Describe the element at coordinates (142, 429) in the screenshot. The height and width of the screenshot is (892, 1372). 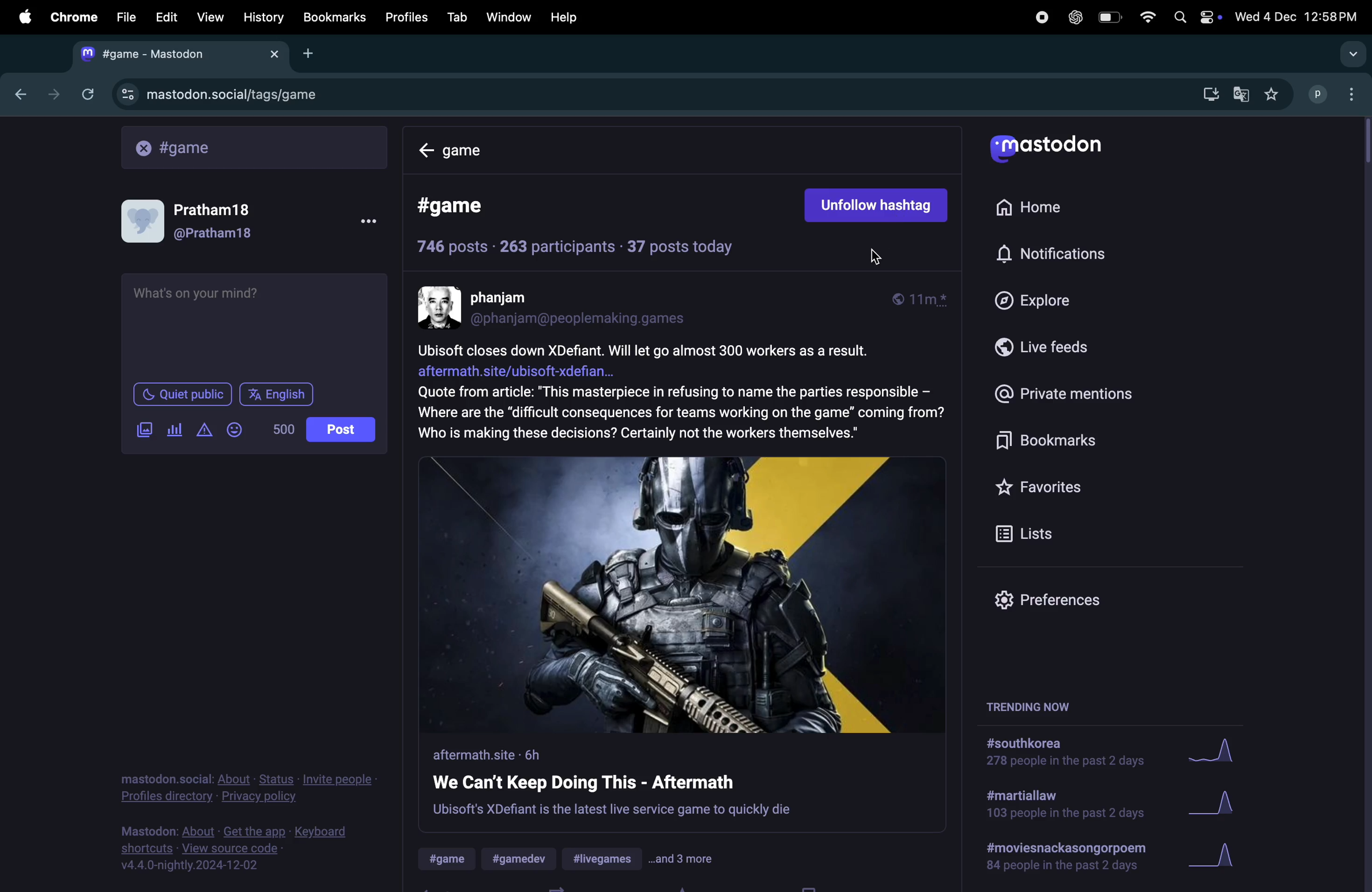
I see `add image` at that location.